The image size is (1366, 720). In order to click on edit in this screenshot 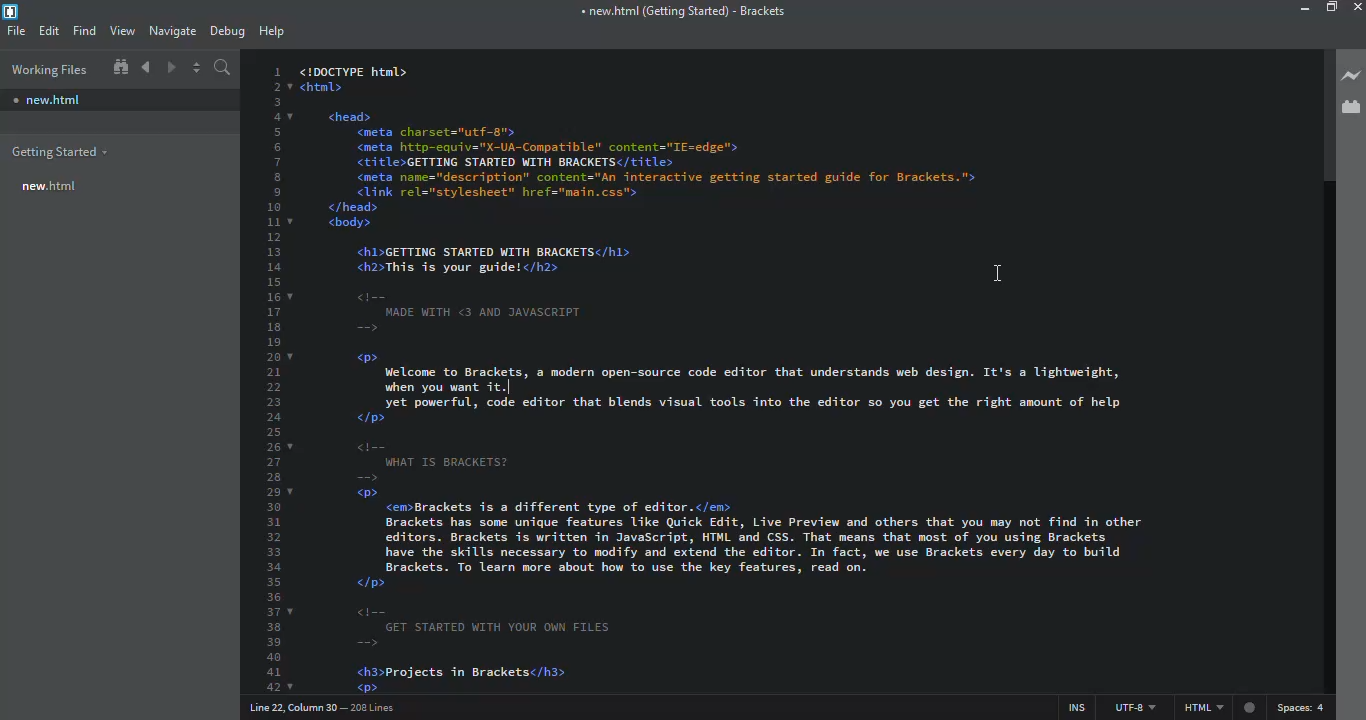, I will do `click(51, 29)`.